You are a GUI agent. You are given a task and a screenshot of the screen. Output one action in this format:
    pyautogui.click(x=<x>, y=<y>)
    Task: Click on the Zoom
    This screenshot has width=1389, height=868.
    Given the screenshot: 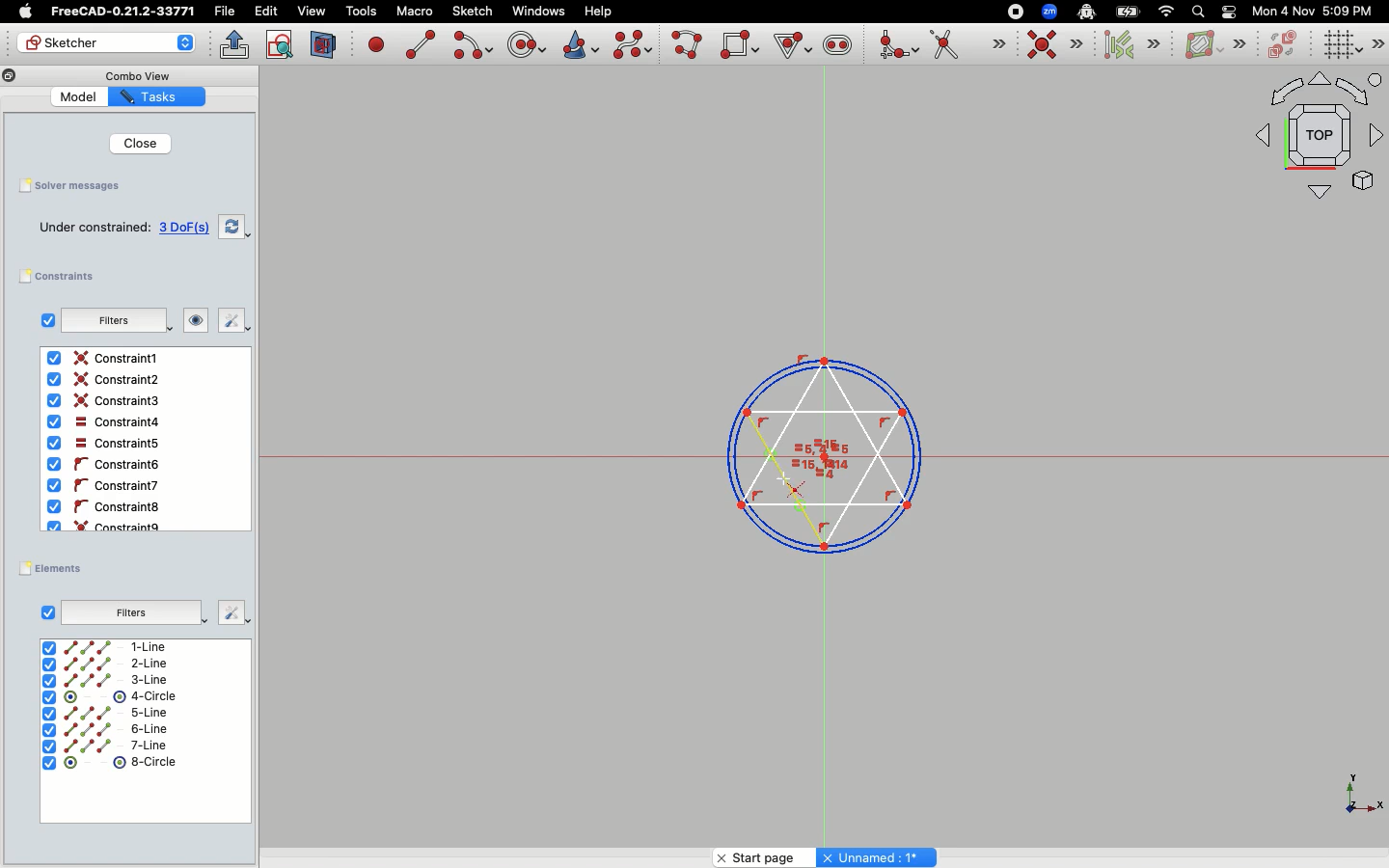 What is the action you would take?
    pyautogui.click(x=1050, y=12)
    